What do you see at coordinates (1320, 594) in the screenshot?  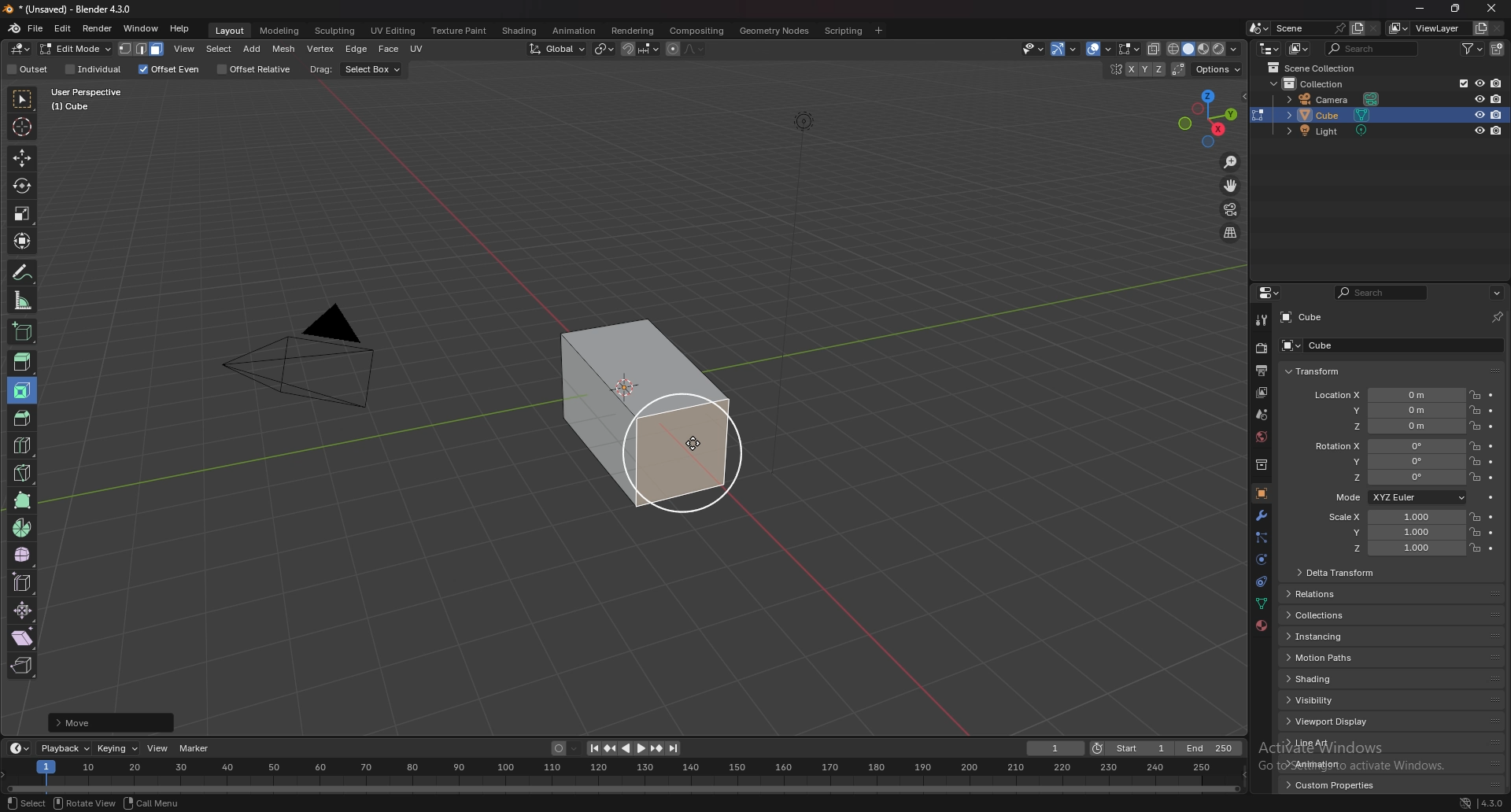 I see `relations` at bounding box center [1320, 594].